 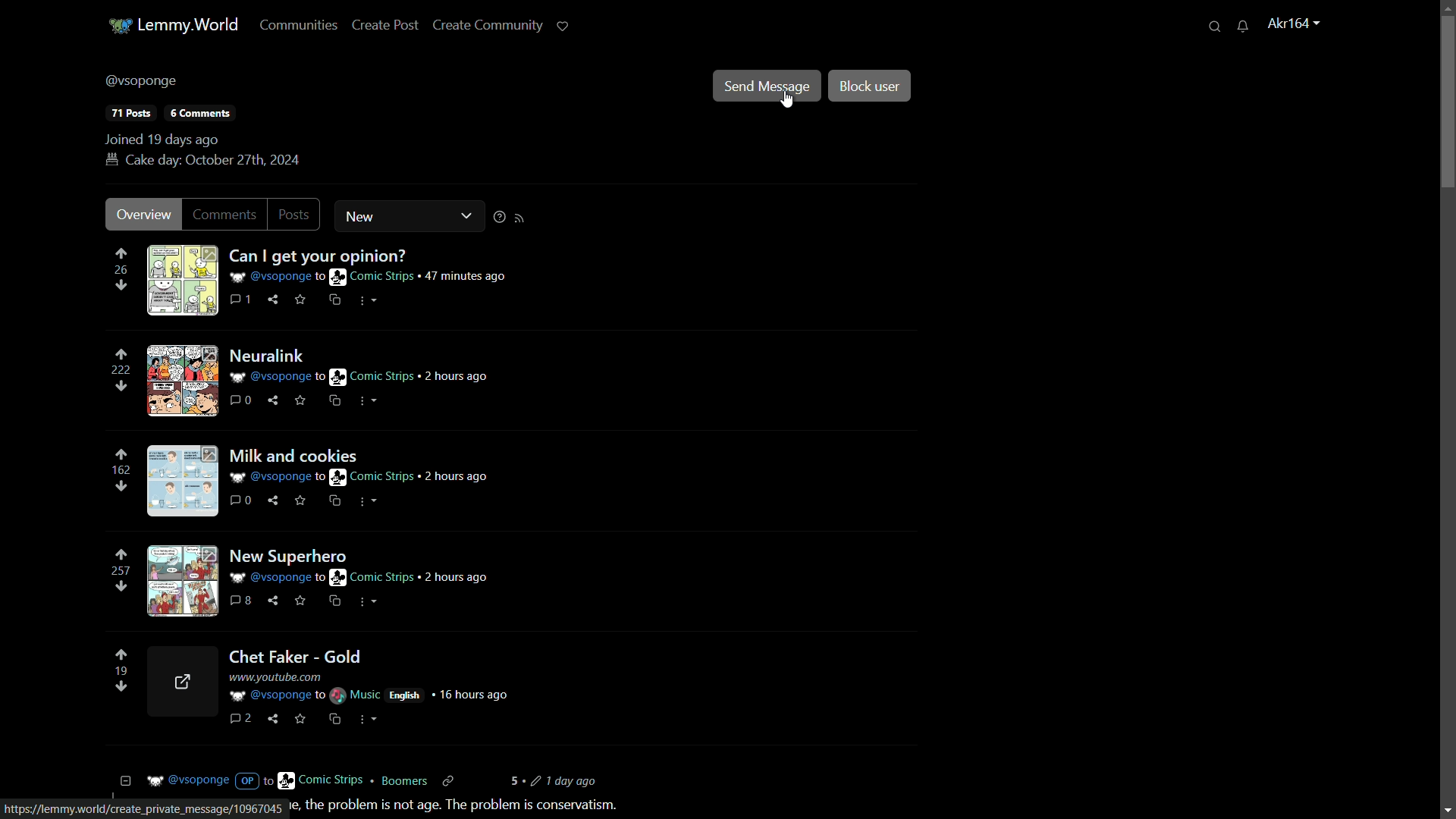 What do you see at coordinates (121, 588) in the screenshot?
I see `downvote` at bounding box center [121, 588].